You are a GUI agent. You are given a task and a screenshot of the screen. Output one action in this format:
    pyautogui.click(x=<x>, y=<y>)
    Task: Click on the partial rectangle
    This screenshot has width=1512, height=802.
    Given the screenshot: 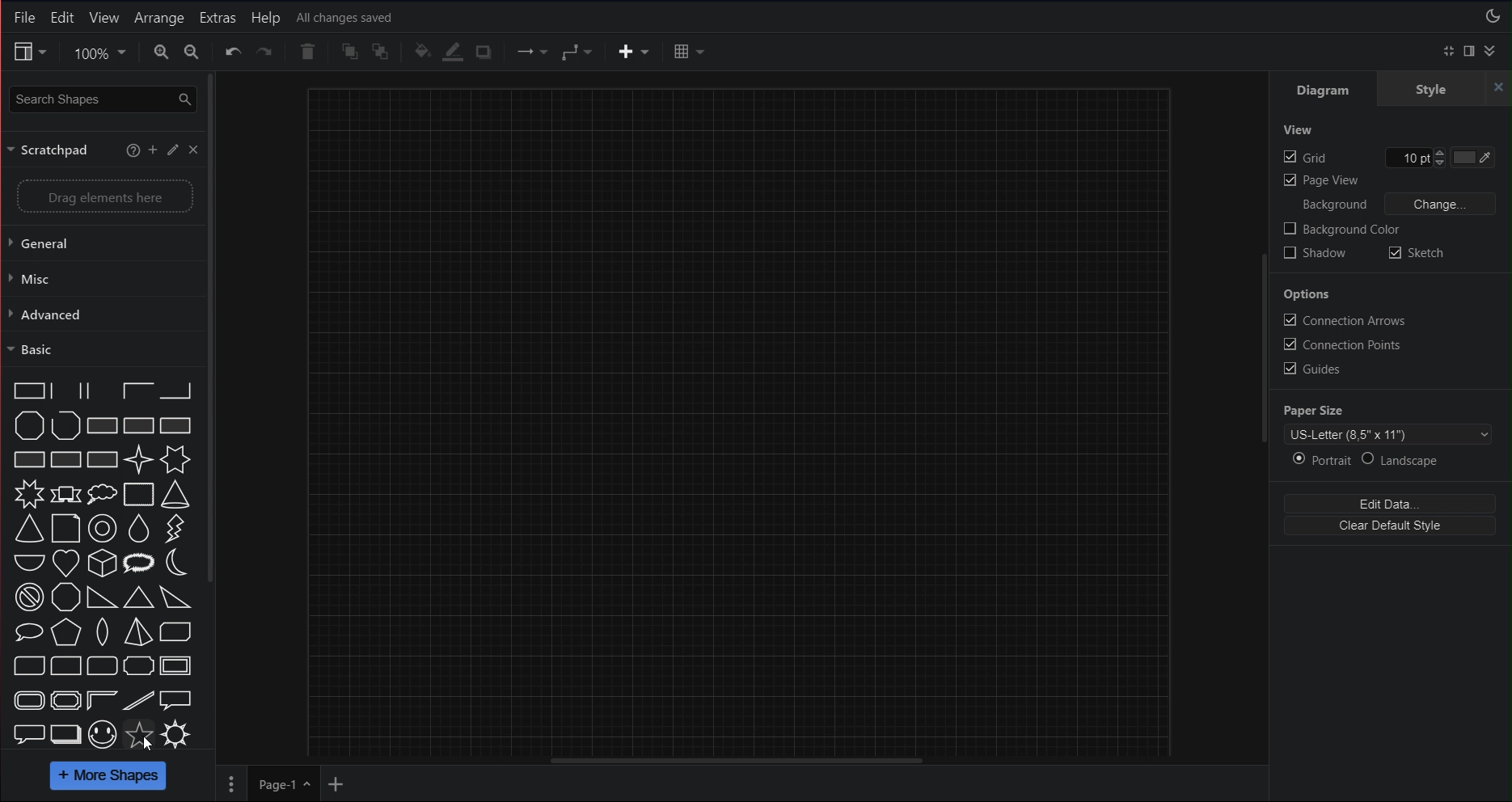 What is the action you would take?
    pyautogui.click(x=137, y=390)
    